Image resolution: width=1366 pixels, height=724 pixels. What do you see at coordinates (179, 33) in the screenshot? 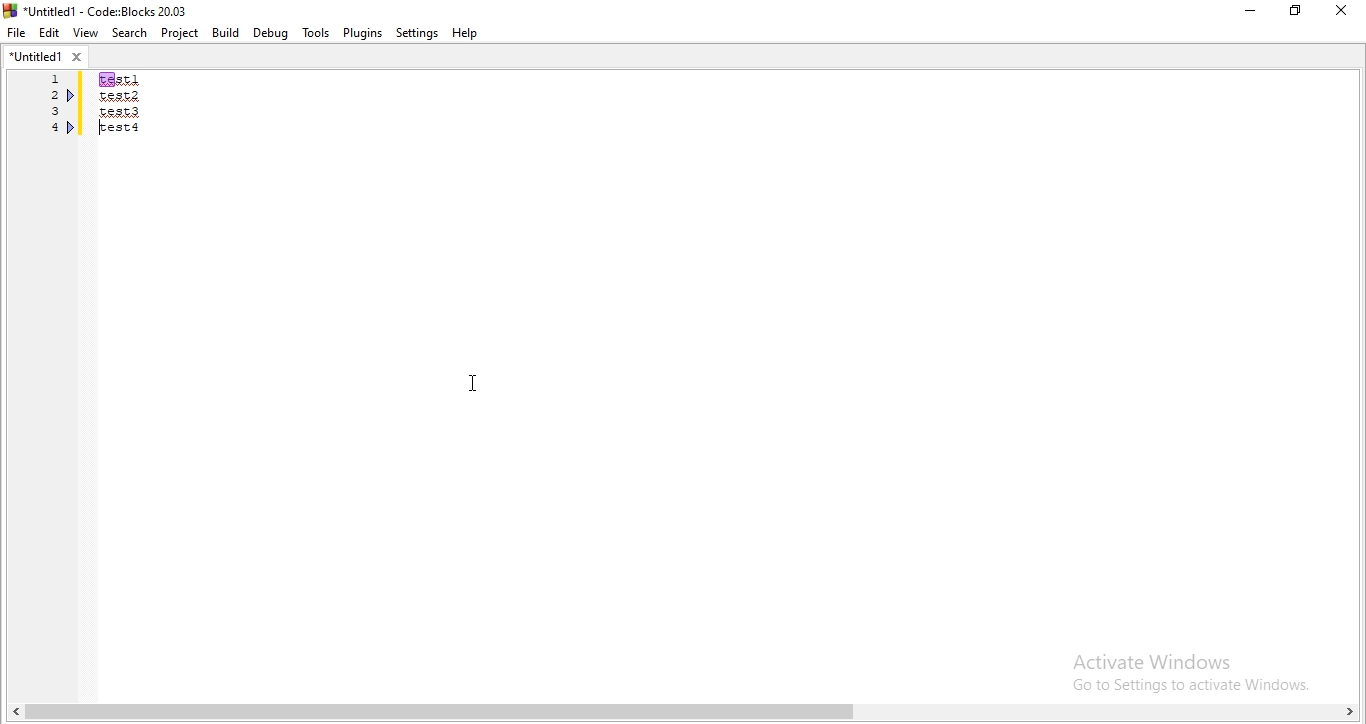
I see `Project ` at bounding box center [179, 33].